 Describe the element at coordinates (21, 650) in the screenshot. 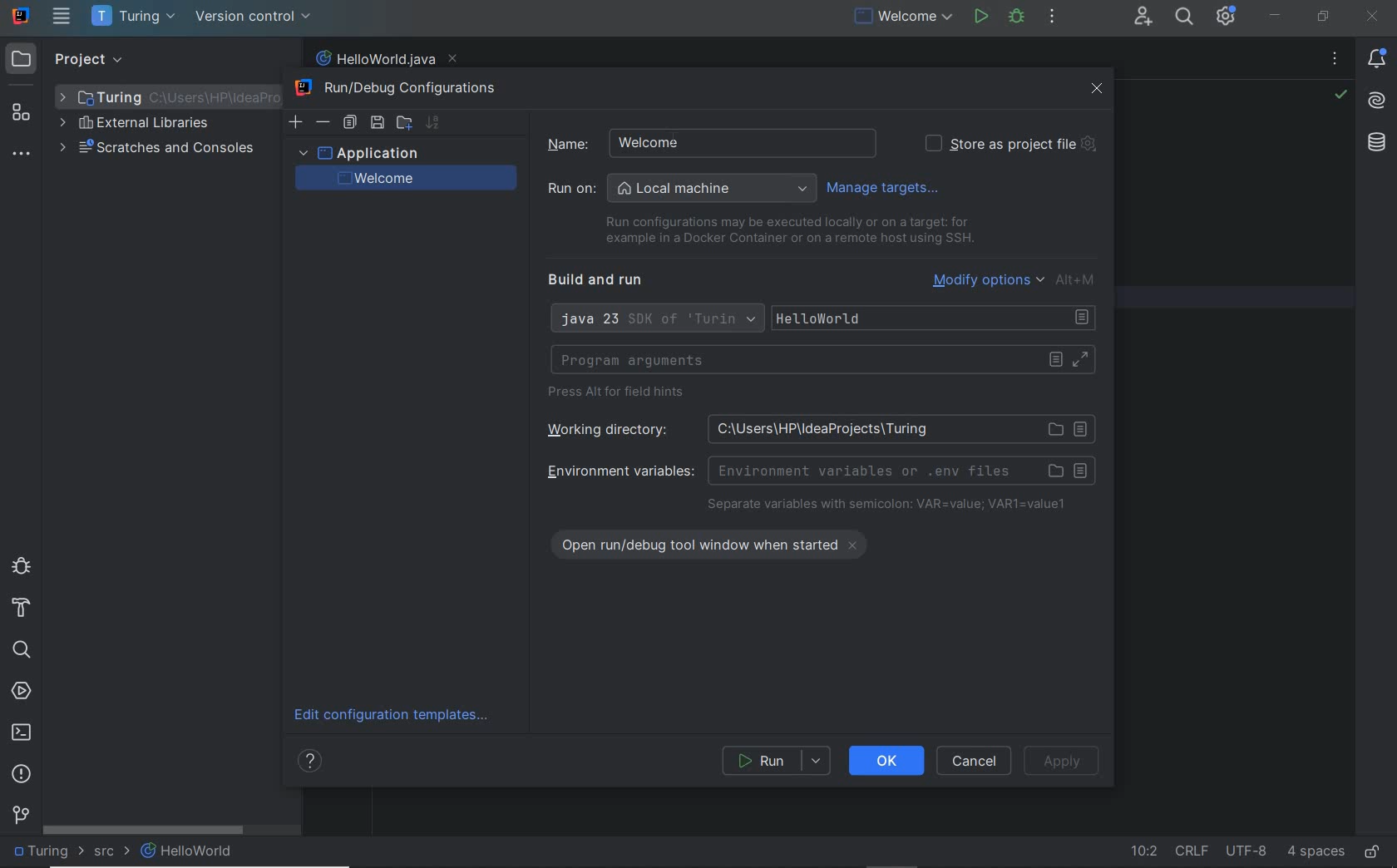

I see `search` at that location.